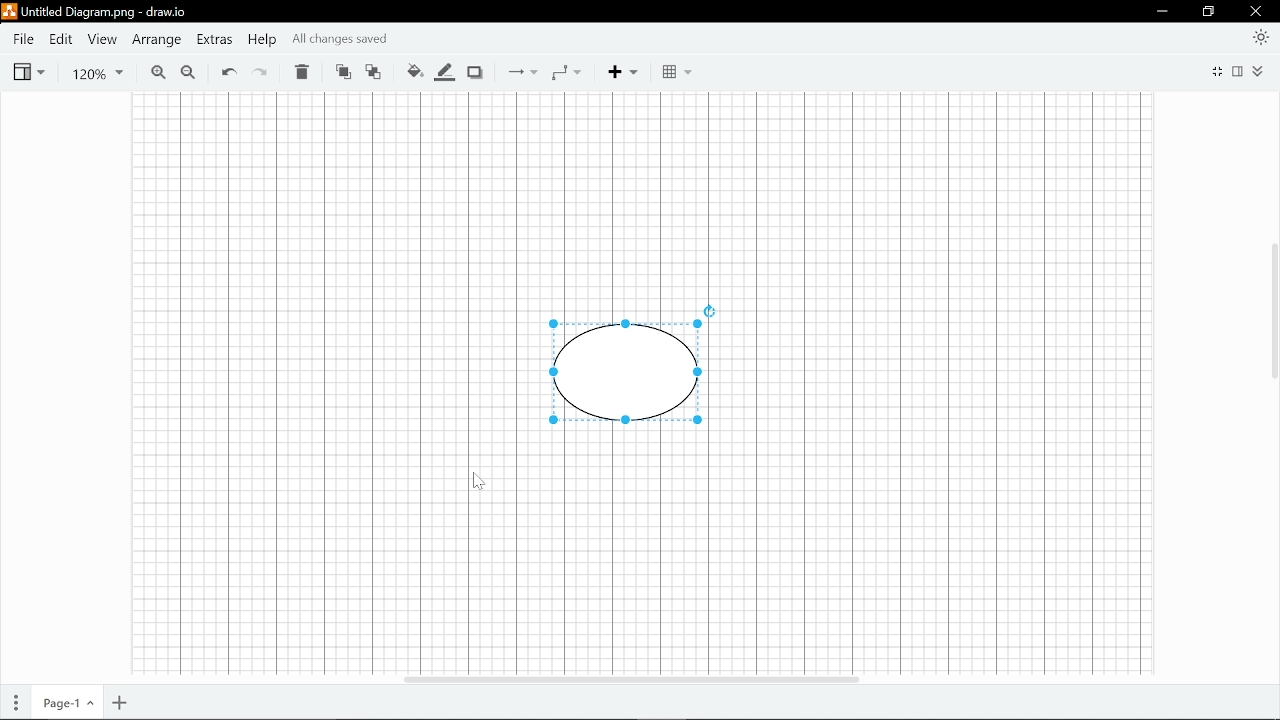  Describe the element at coordinates (1259, 71) in the screenshot. I see `Collapse` at that location.